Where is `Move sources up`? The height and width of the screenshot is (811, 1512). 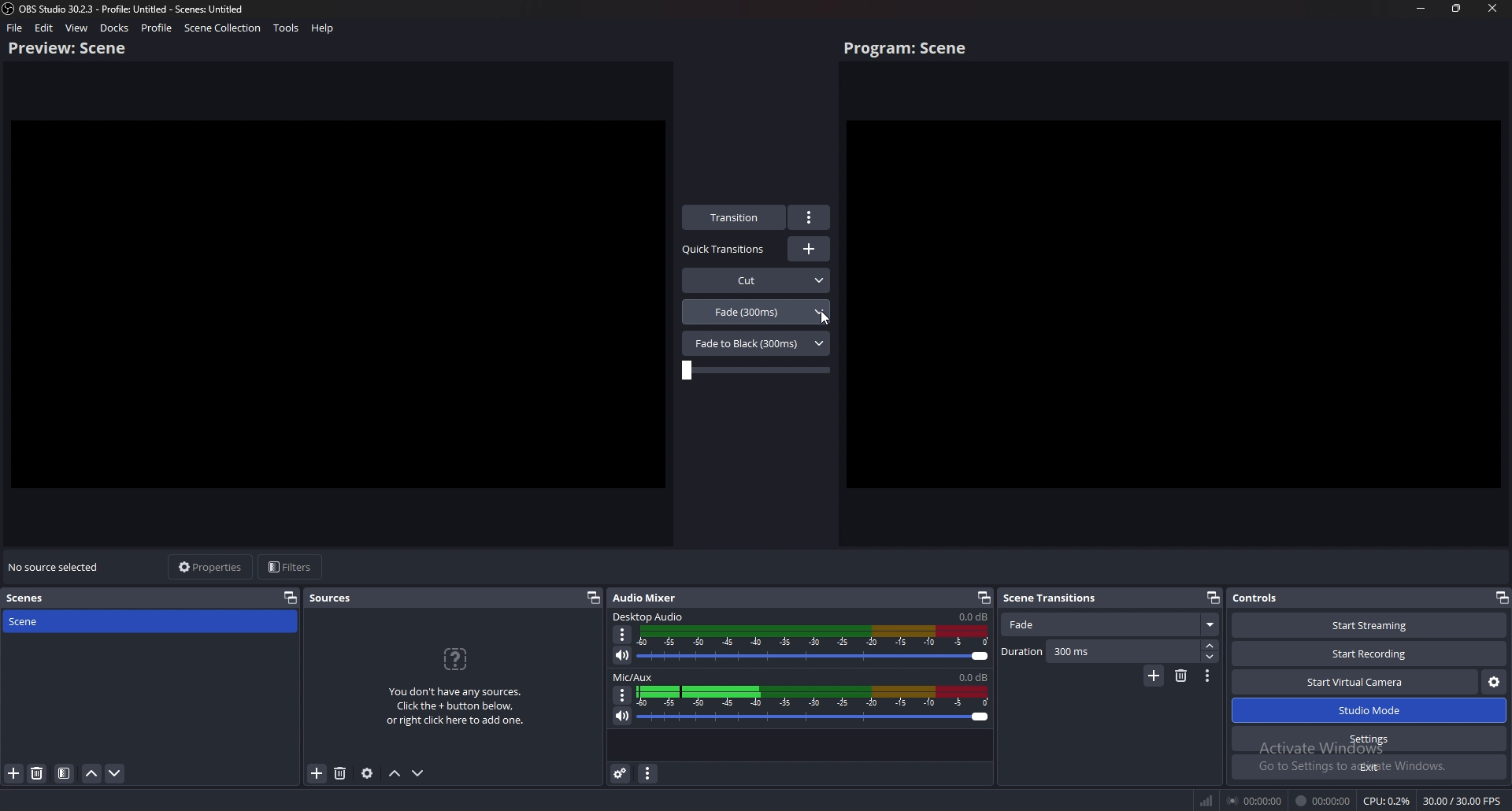
Move sources up is located at coordinates (395, 774).